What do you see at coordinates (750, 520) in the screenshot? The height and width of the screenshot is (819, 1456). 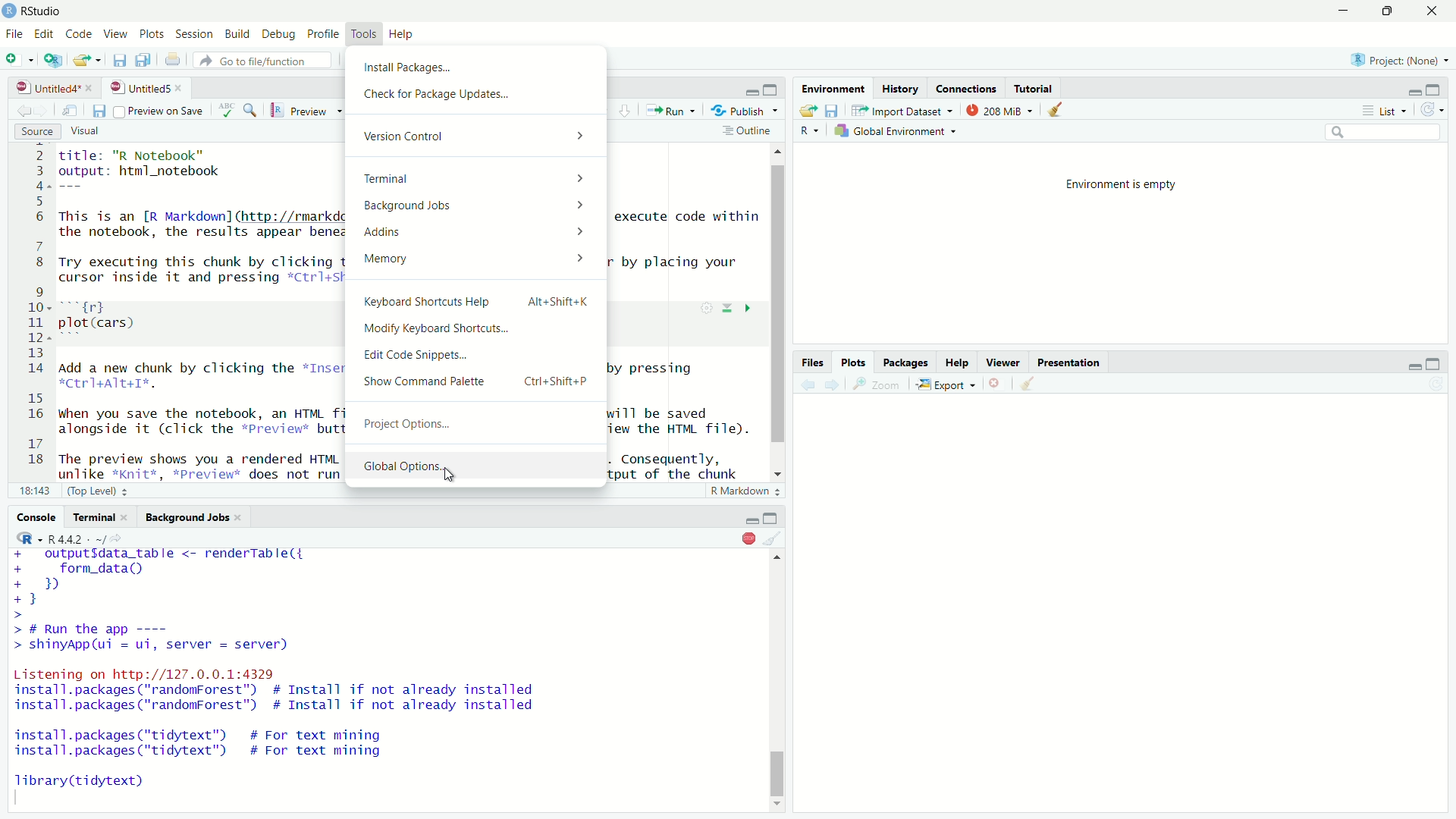 I see `minimize` at bounding box center [750, 520].